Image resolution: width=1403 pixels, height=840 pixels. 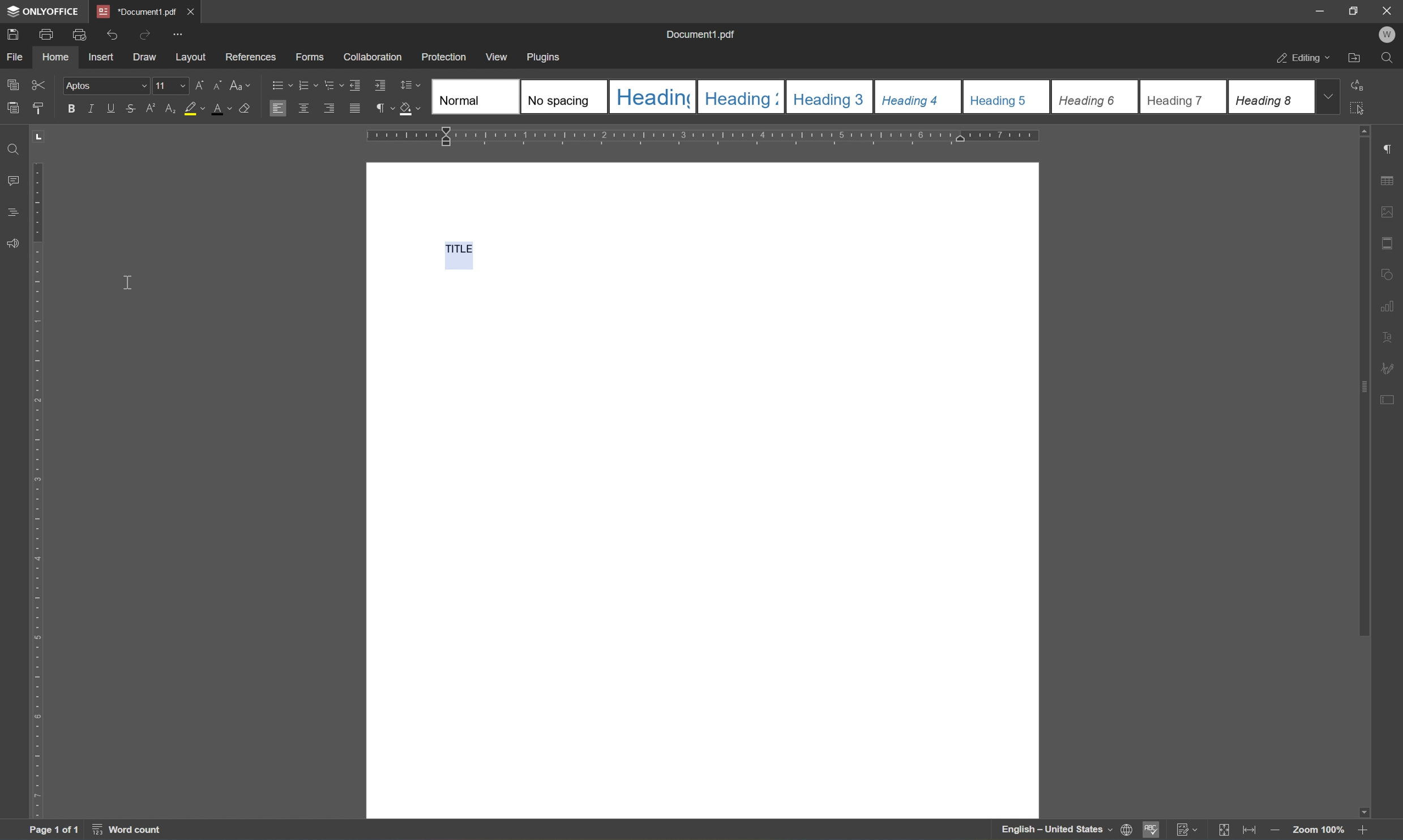 What do you see at coordinates (1390, 273) in the screenshot?
I see `shape settings` at bounding box center [1390, 273].